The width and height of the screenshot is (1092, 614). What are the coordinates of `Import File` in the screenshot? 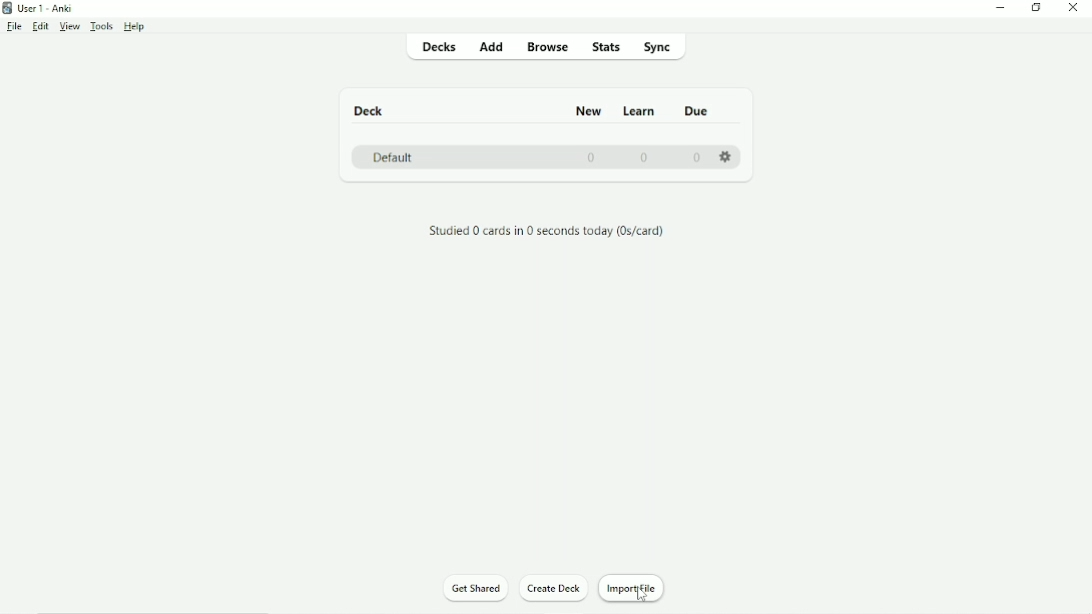 It's located at (635, 588).